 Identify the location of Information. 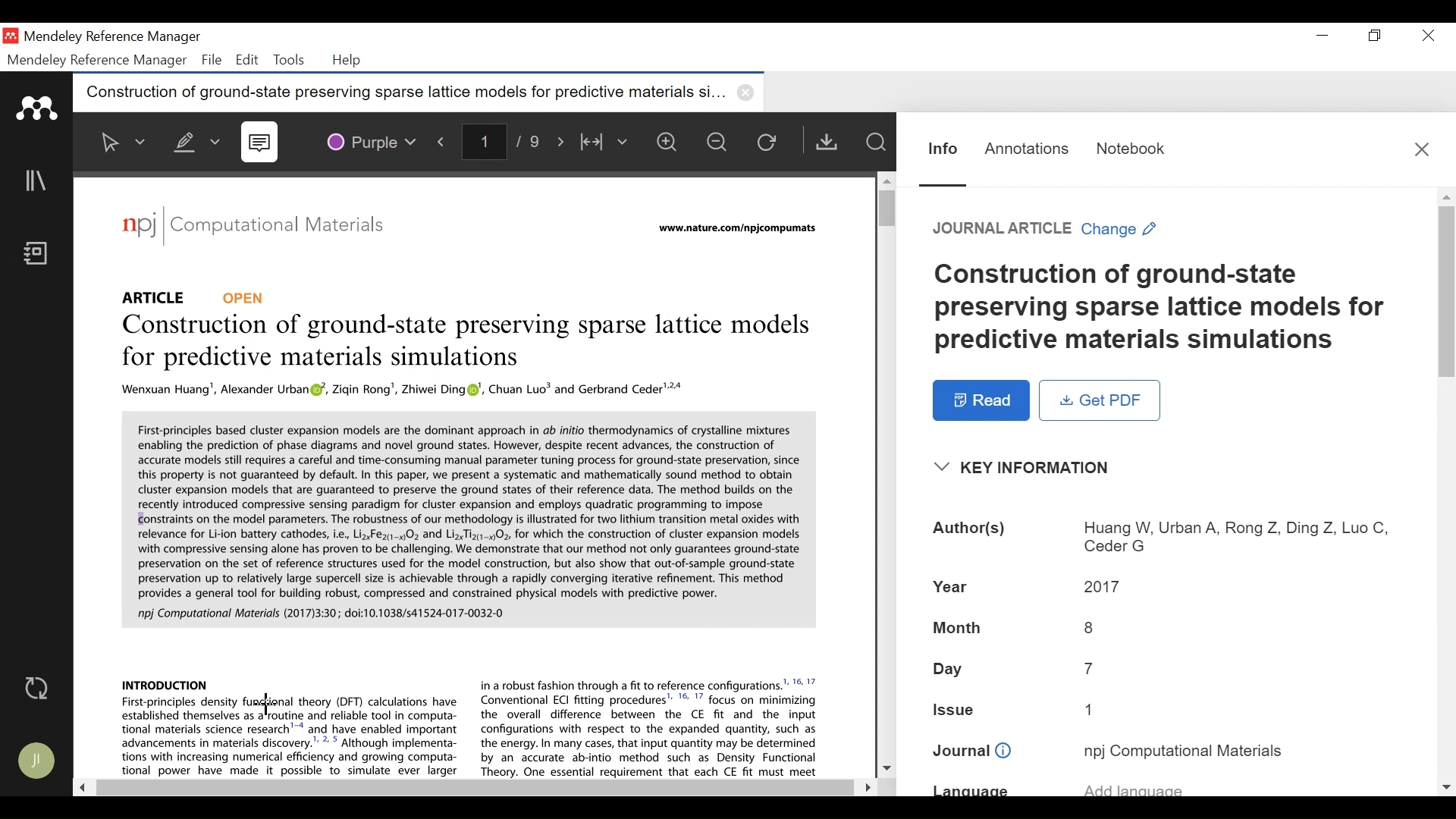
(940, 147).